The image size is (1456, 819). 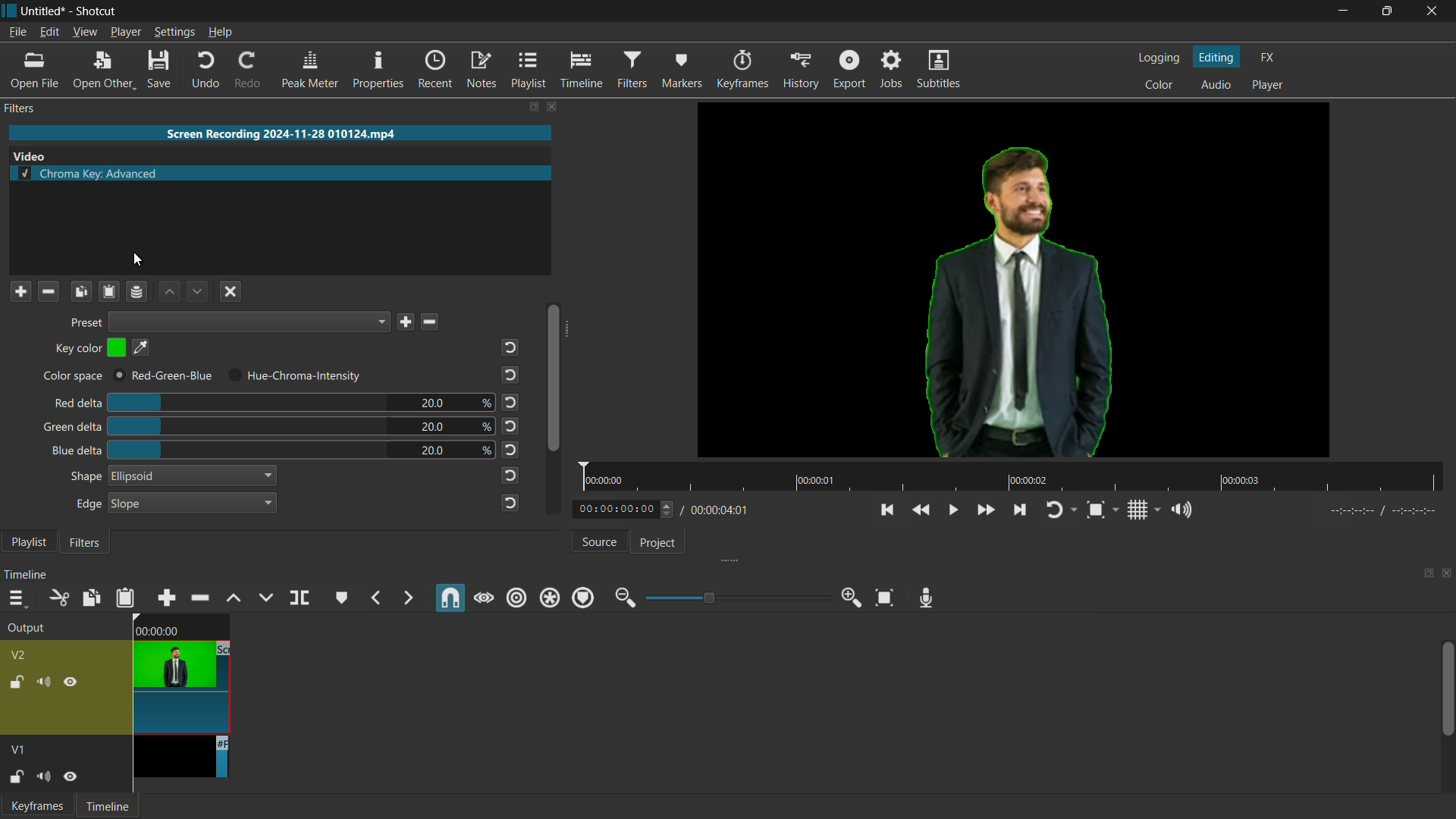 What do you see at coordinates (180, 673) in the screenshot?
I see `video-2 on timeline` at bounding box center [180, 673].